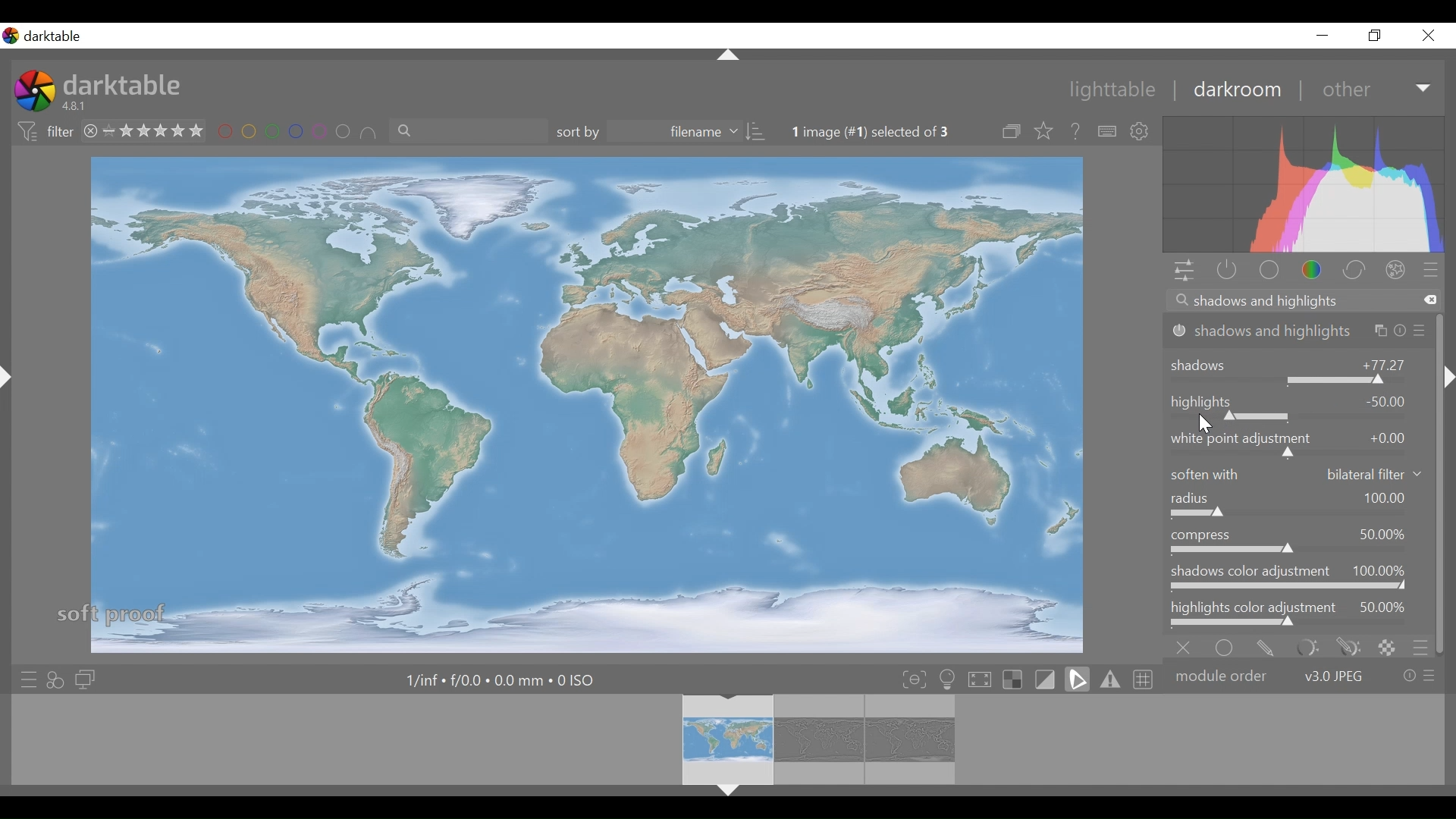 Image resolution: width=1456 pixels, height=819 pixels. I want to click on color, so click(1313, 270).